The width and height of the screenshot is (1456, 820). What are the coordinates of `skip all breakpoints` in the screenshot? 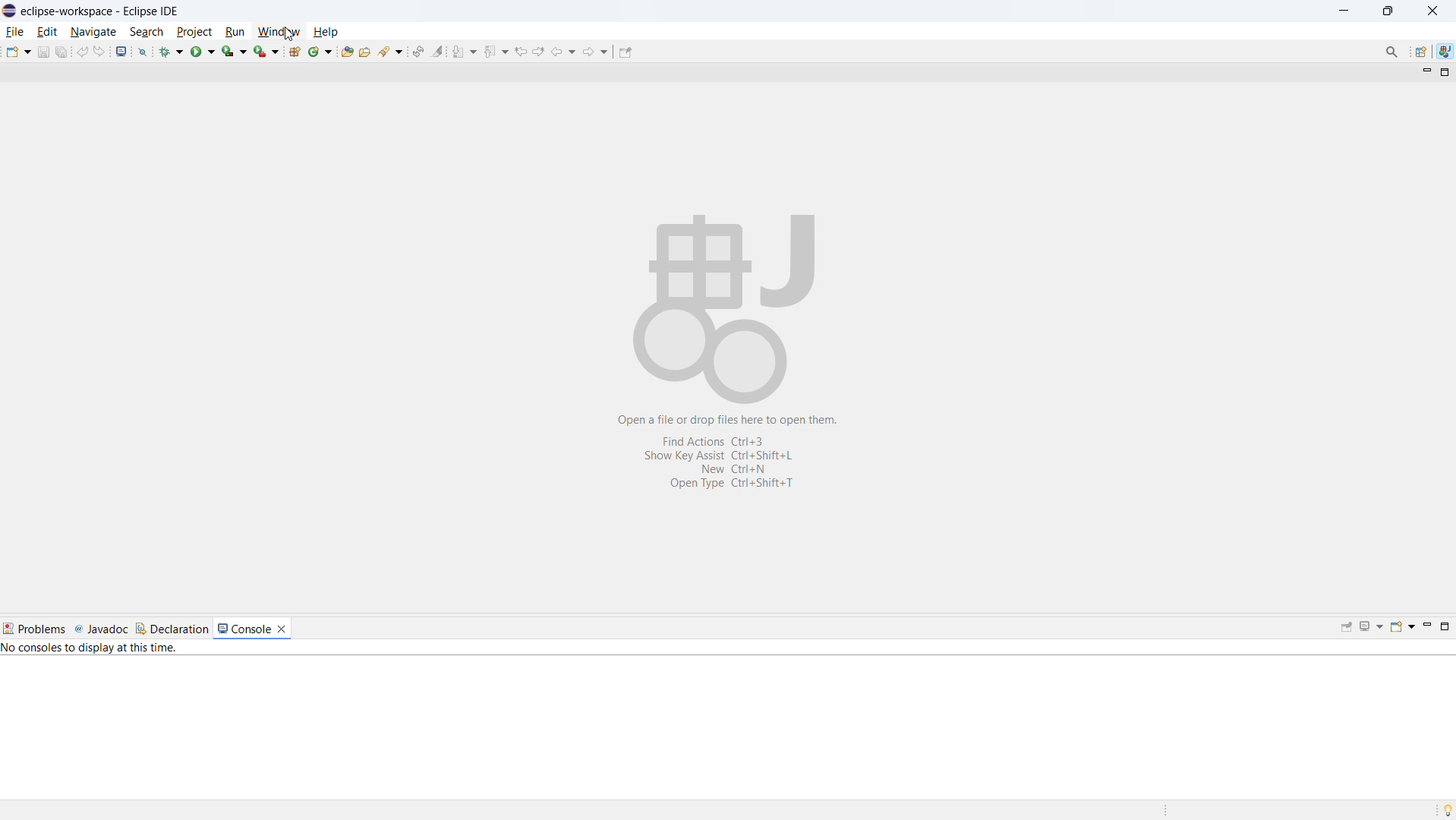 It's located at (143, 51).